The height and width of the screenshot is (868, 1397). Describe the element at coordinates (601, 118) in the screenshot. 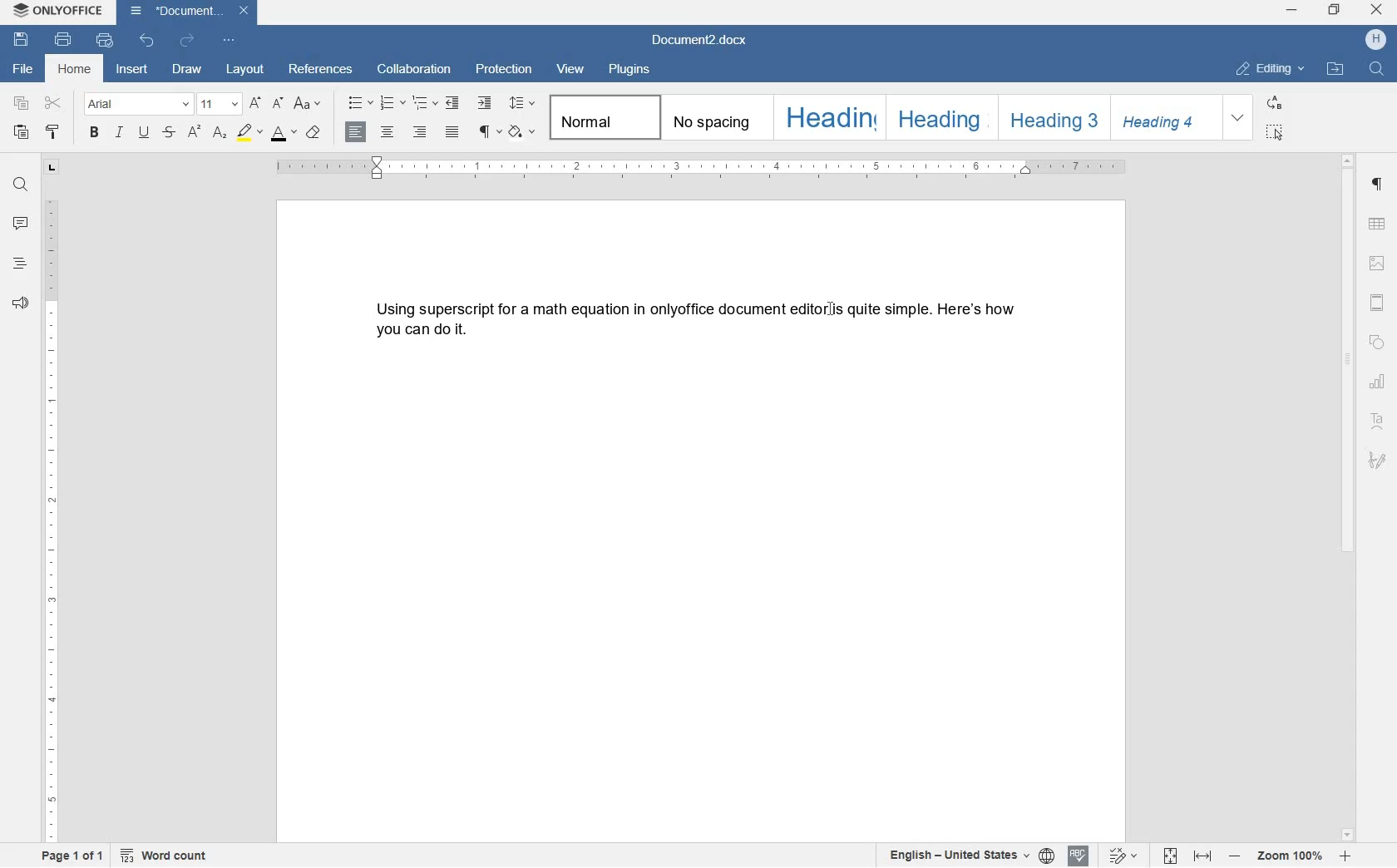

I see `normal` at that location.